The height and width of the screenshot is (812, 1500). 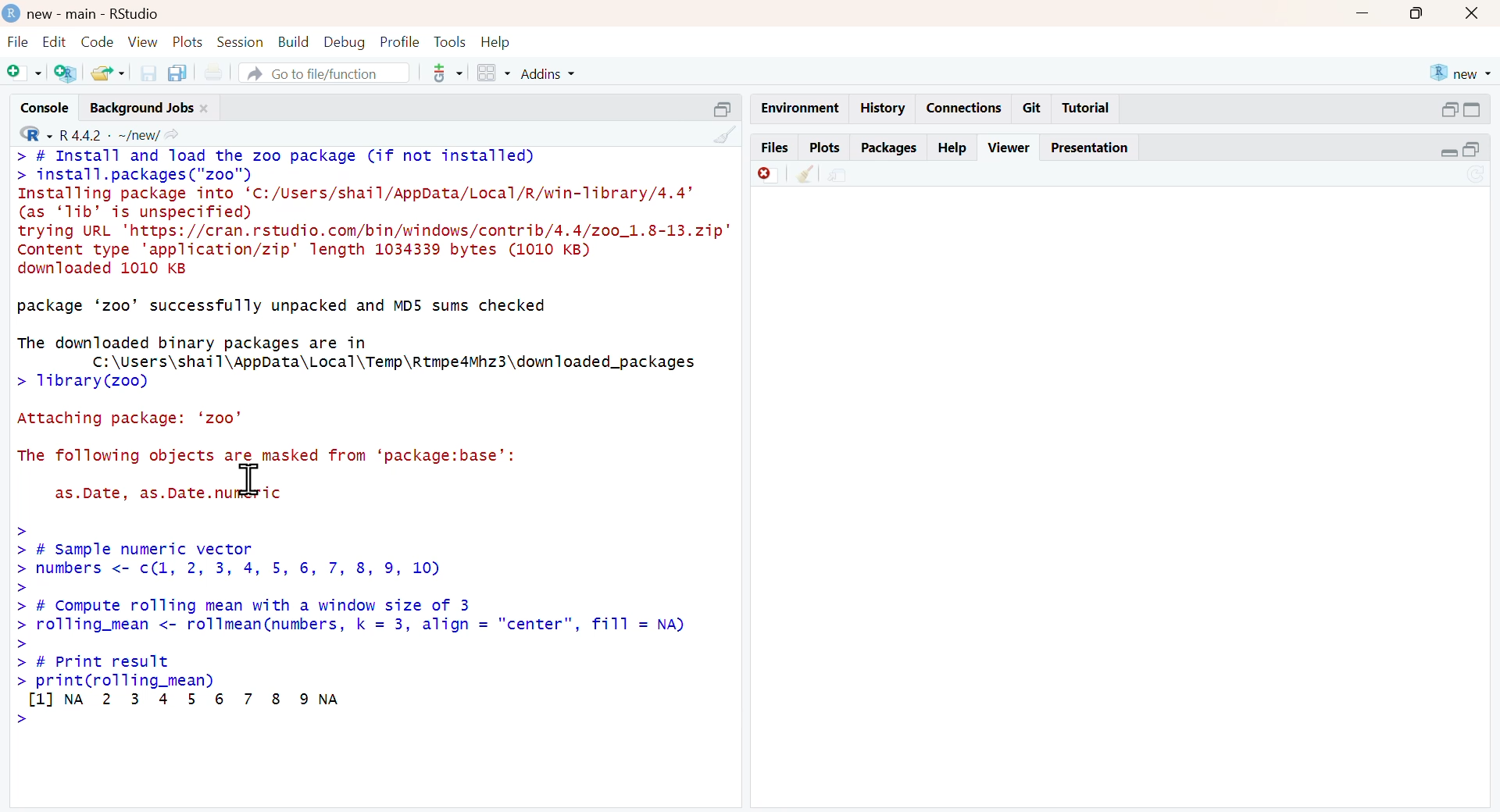 I want to click on delete file, so click(x=768, y=175).